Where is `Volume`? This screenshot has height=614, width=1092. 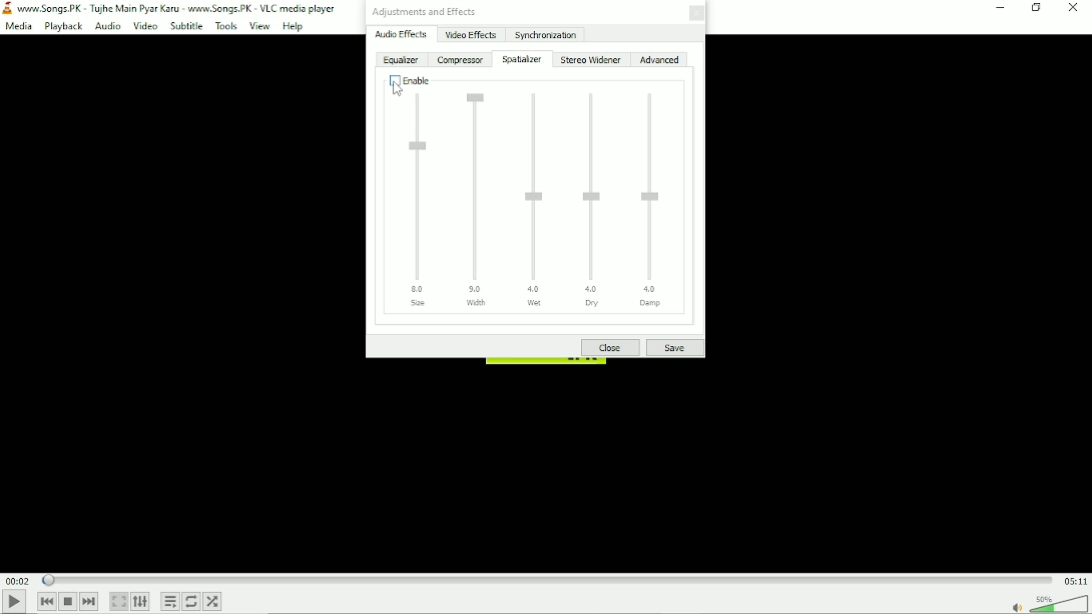
Volume is located at coordinates (1060, 603).